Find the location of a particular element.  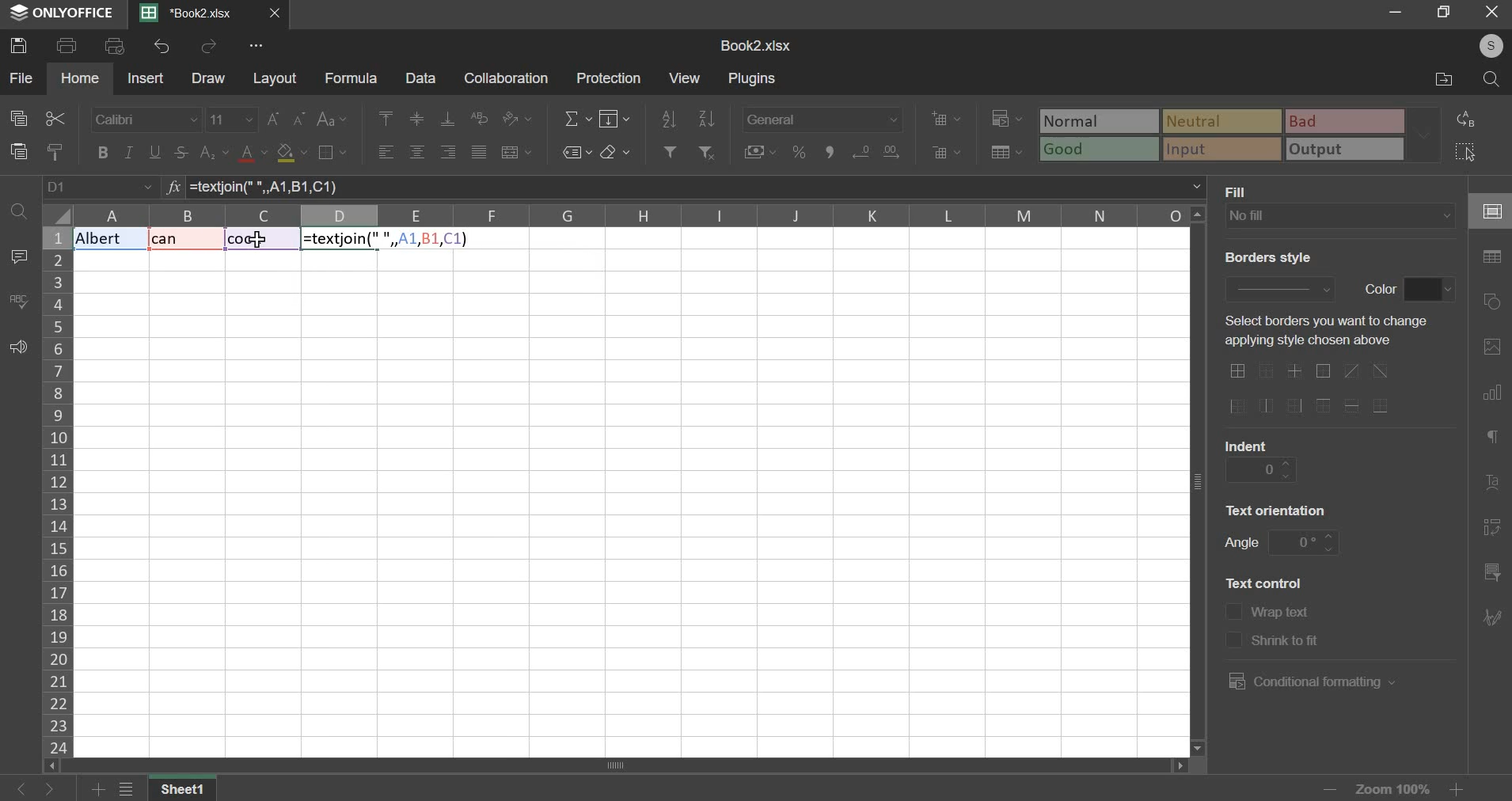

go forward is located at coordinates (61, 789).